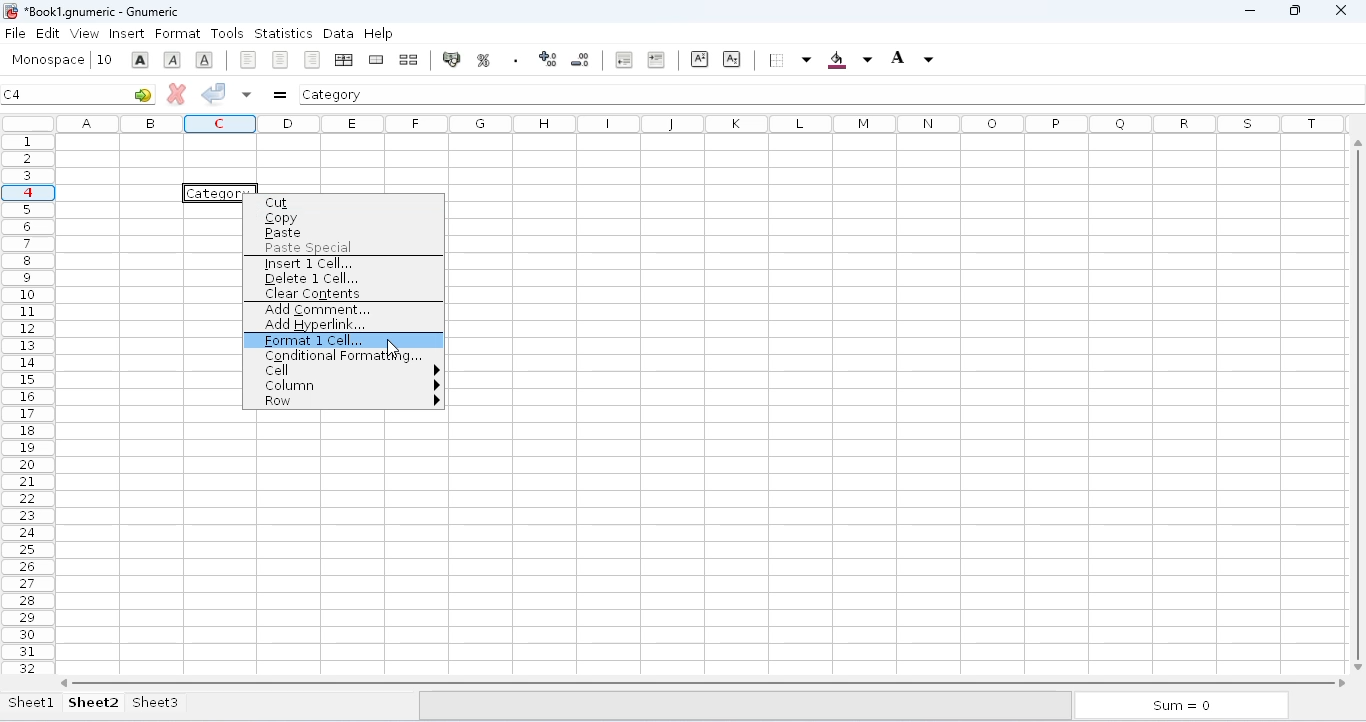  I want to click on add hyperlink, so click(315, 325).